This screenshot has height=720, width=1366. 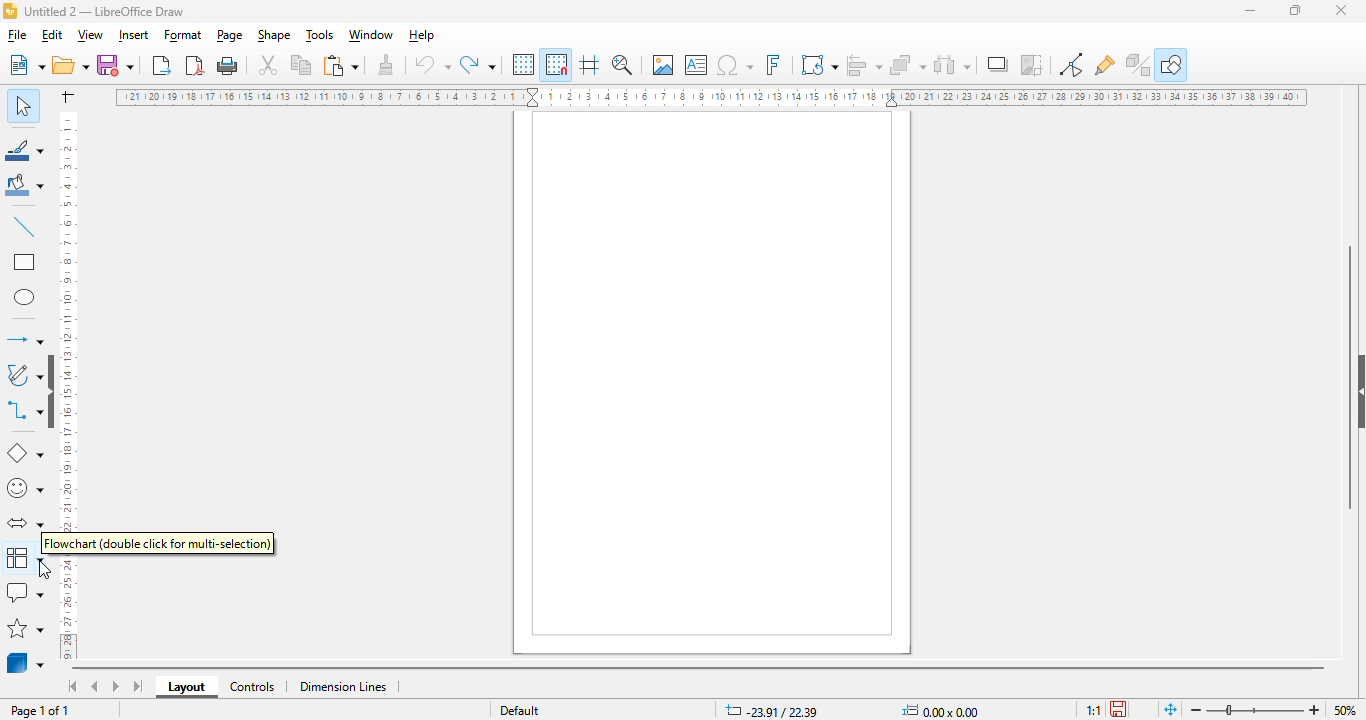 What do you see at coordinates (24, 186) in the screenshot?
I see `fill color` at bounding box center [24, 186].